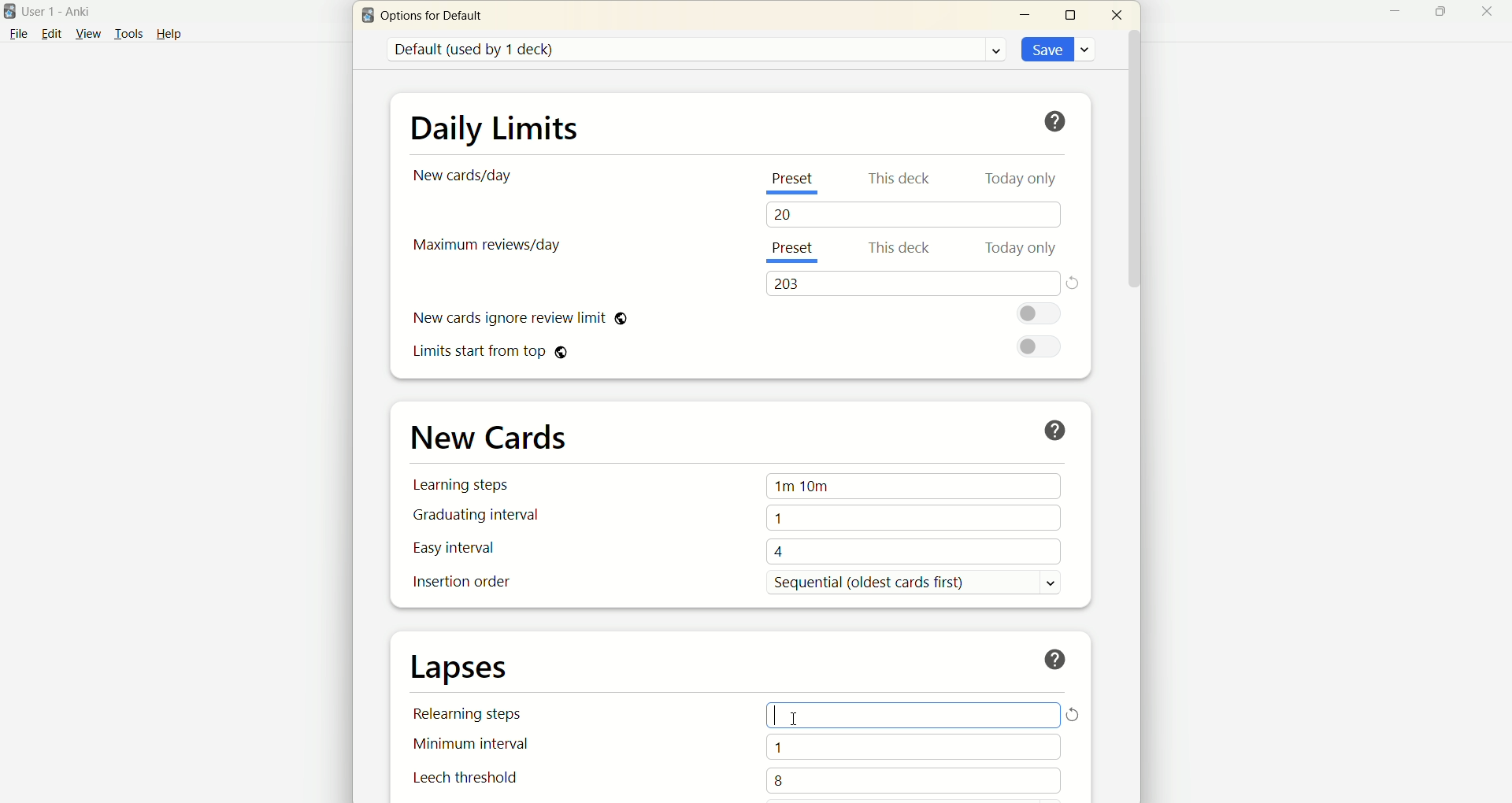 The height and width of the screenshot is (803, 1512). What do you see at coordinates (897, 178) in the screenshot?
I see `this deck` at bounding box center [897, 178].